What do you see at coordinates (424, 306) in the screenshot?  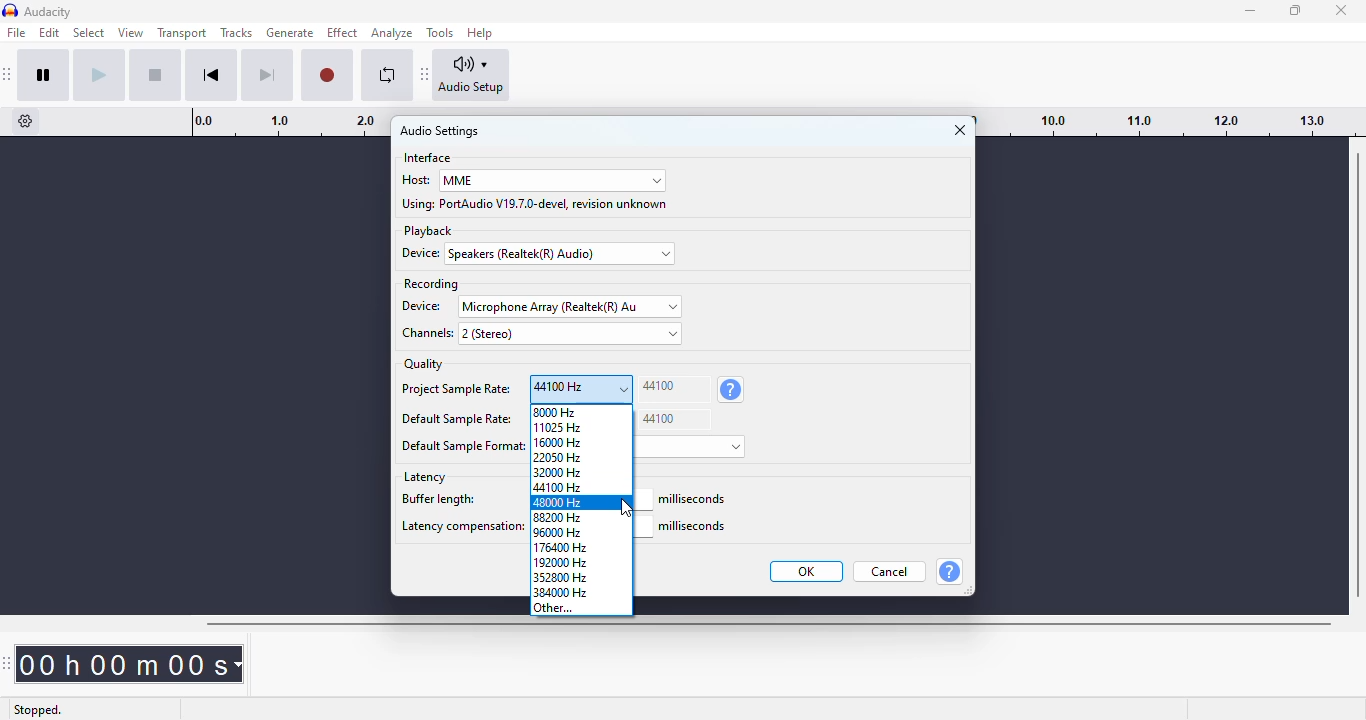 I see `device` at bounding box center [424, 306].